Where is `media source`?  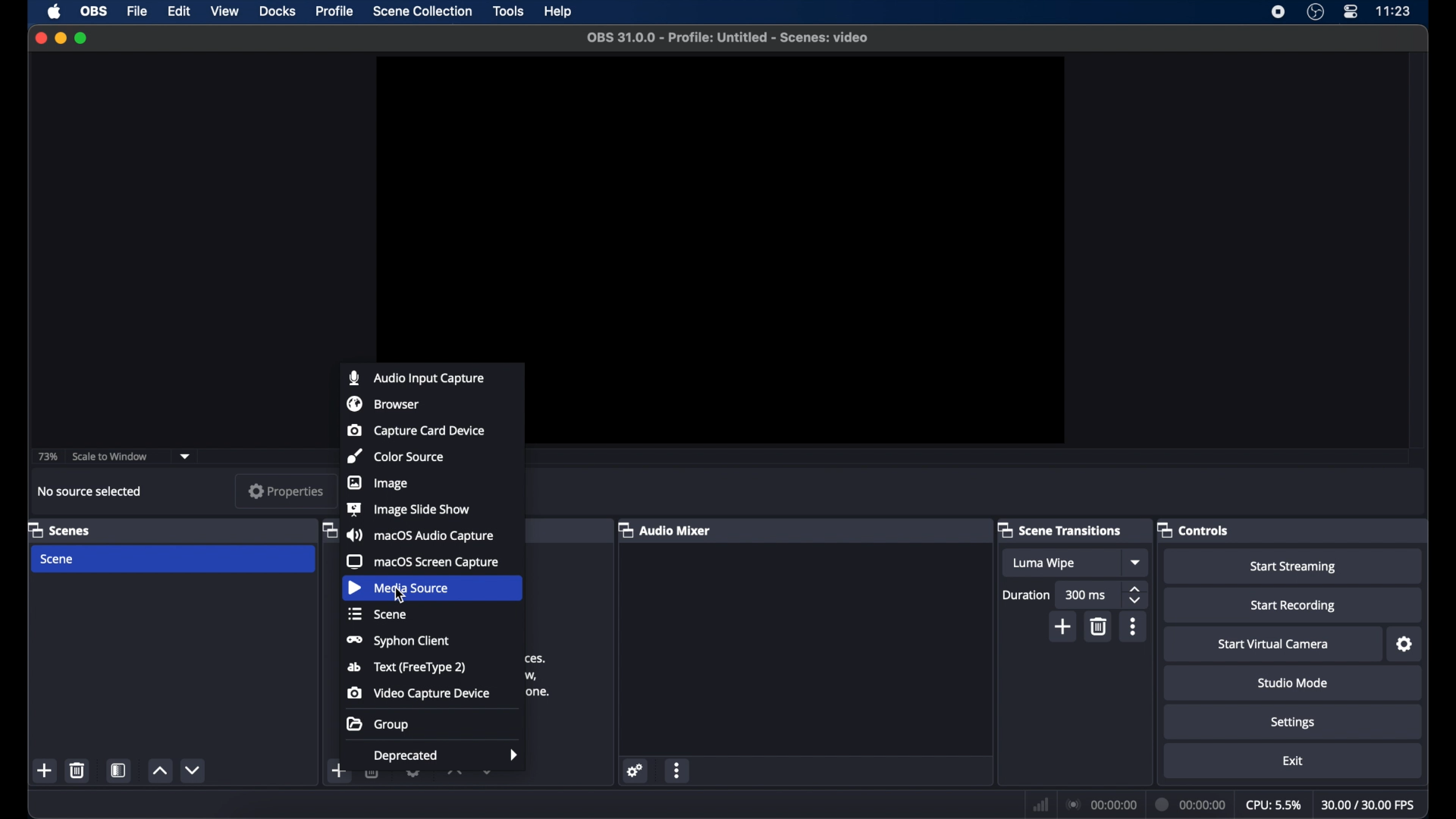 media source is located at coordinates (397, 588).